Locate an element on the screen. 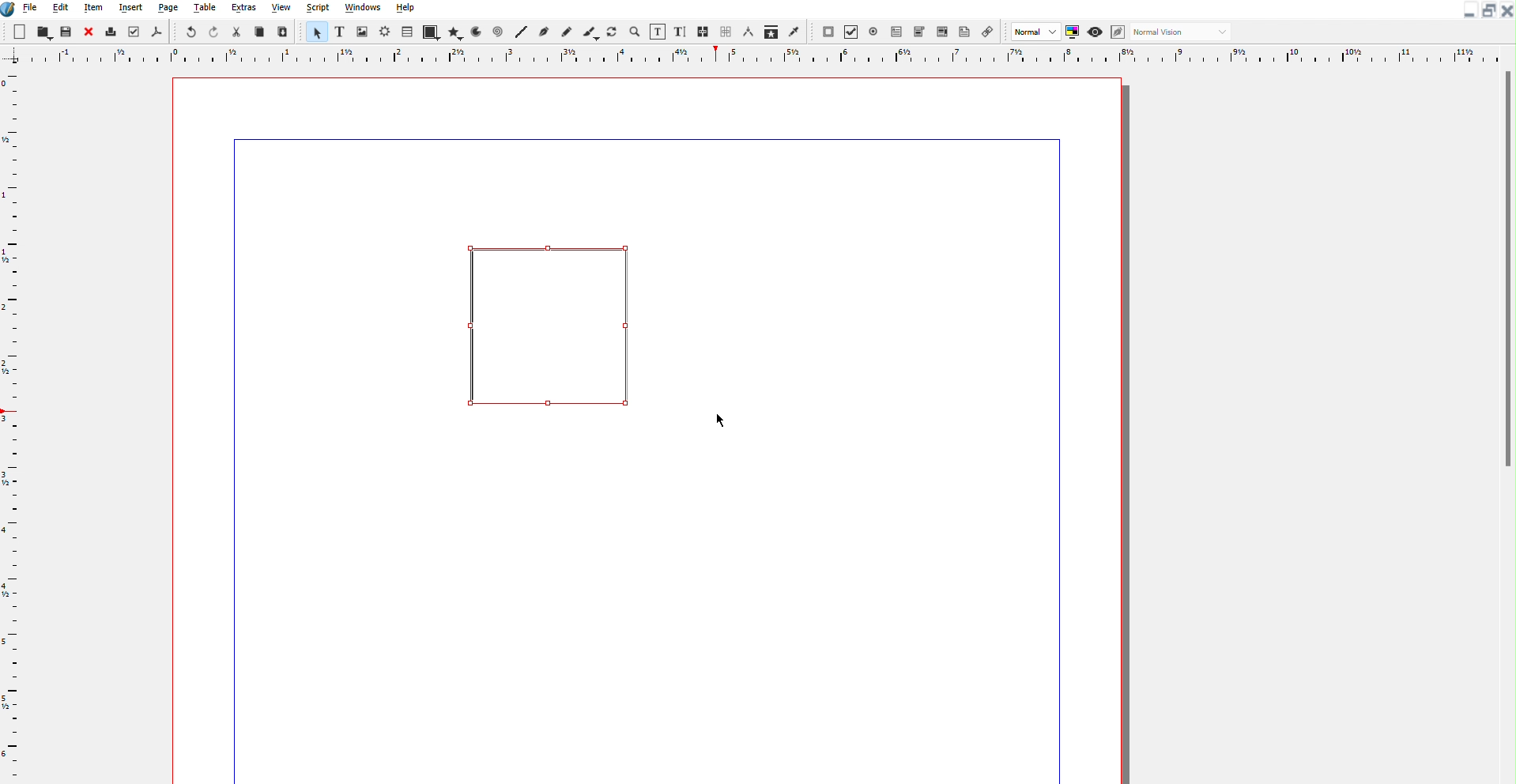  Open is located at coordinates (43, 32).